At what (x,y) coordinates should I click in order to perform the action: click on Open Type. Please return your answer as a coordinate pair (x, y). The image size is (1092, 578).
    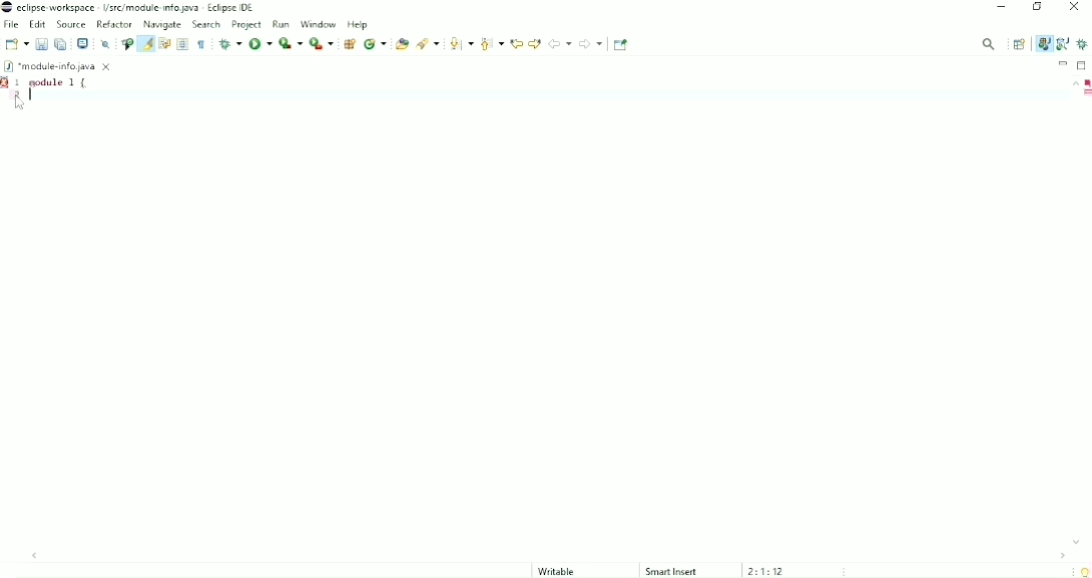
    Looking at the image, I should click on (401, 44).